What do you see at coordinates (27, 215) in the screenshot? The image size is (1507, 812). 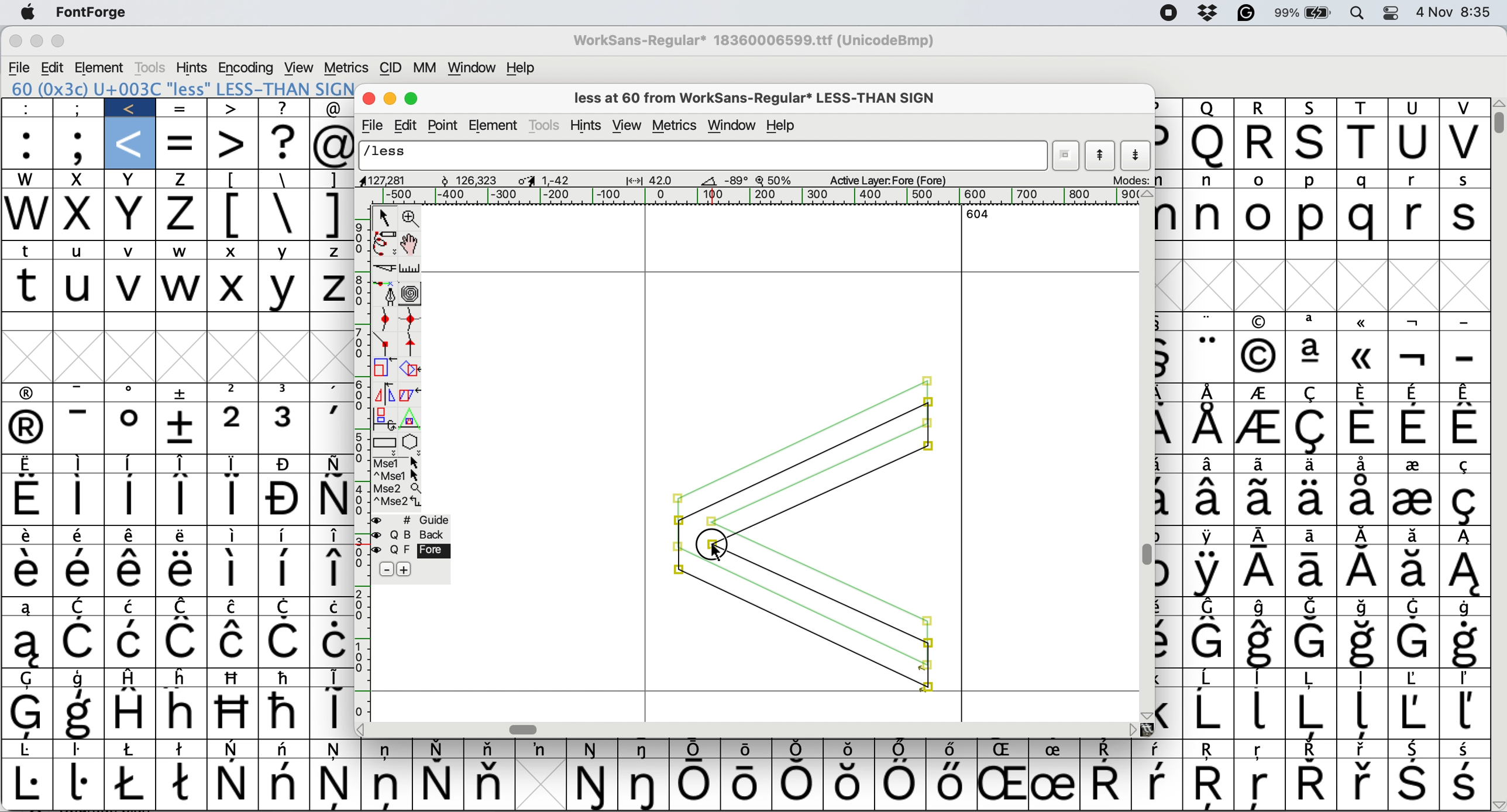 I see `w` at bounding box center [27, 215].